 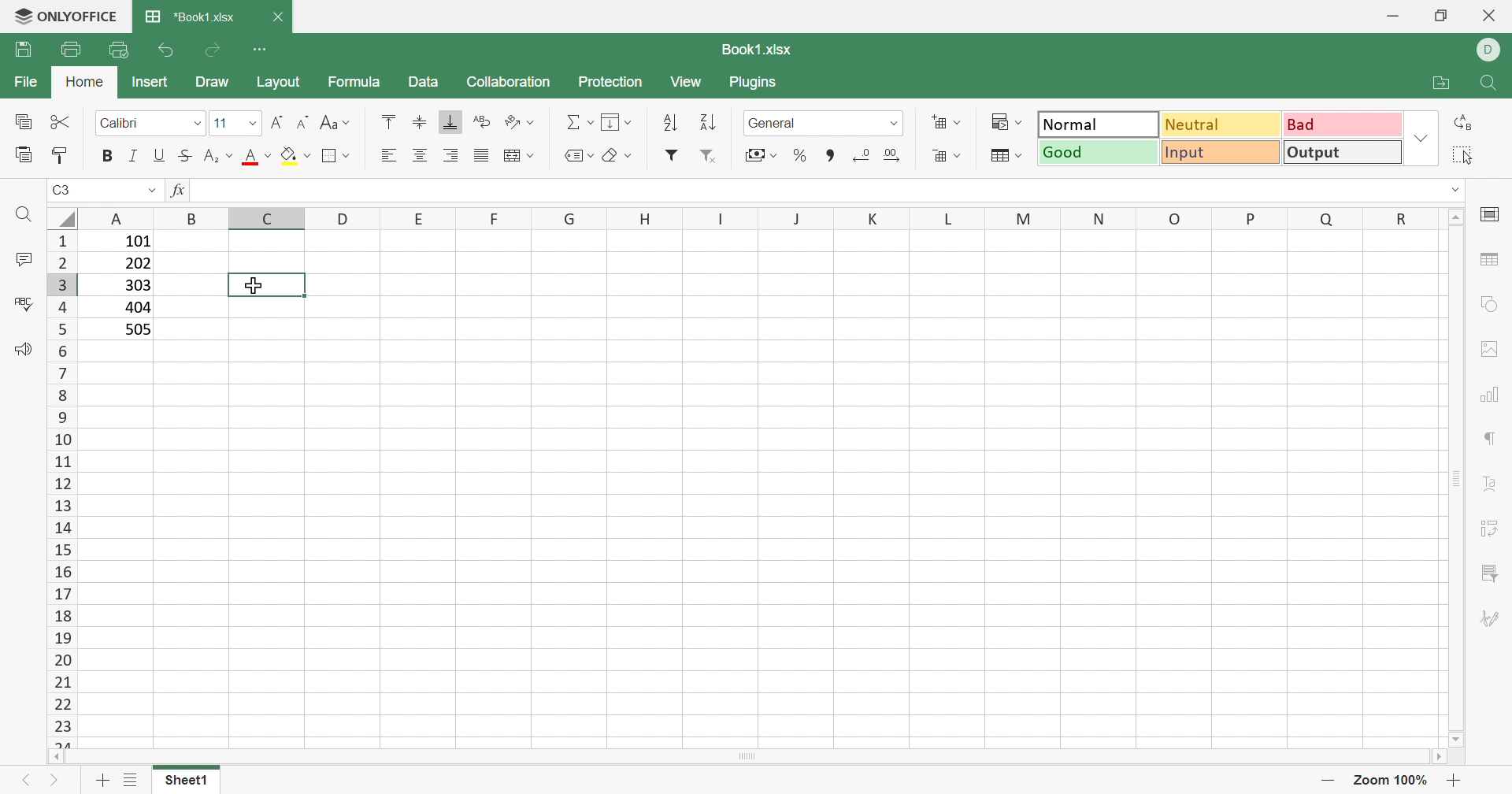 I want to click on Quick print, so click(x=121, y=49).